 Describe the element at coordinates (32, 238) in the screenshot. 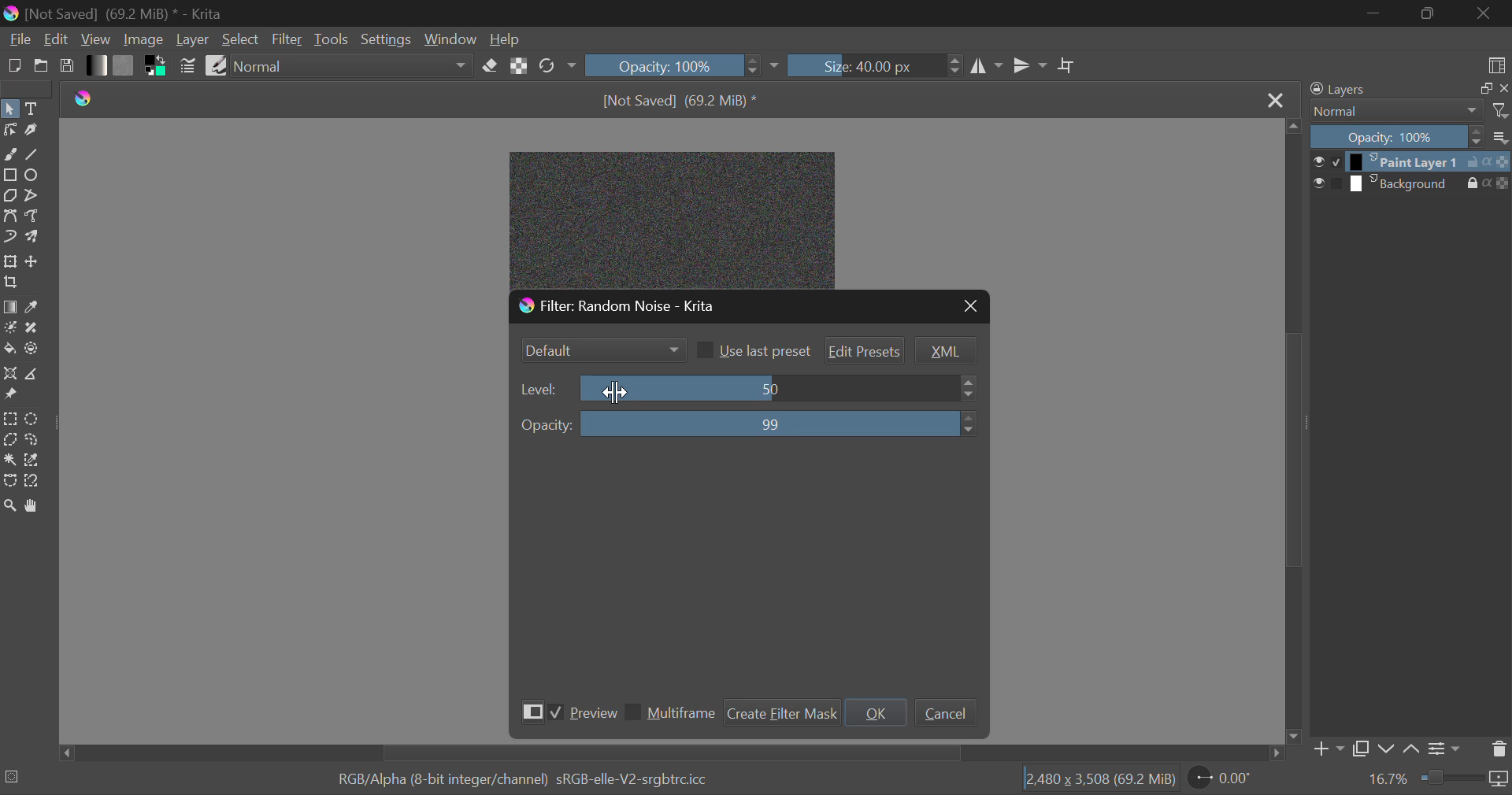

I see `Multibrush Tool` at that location.